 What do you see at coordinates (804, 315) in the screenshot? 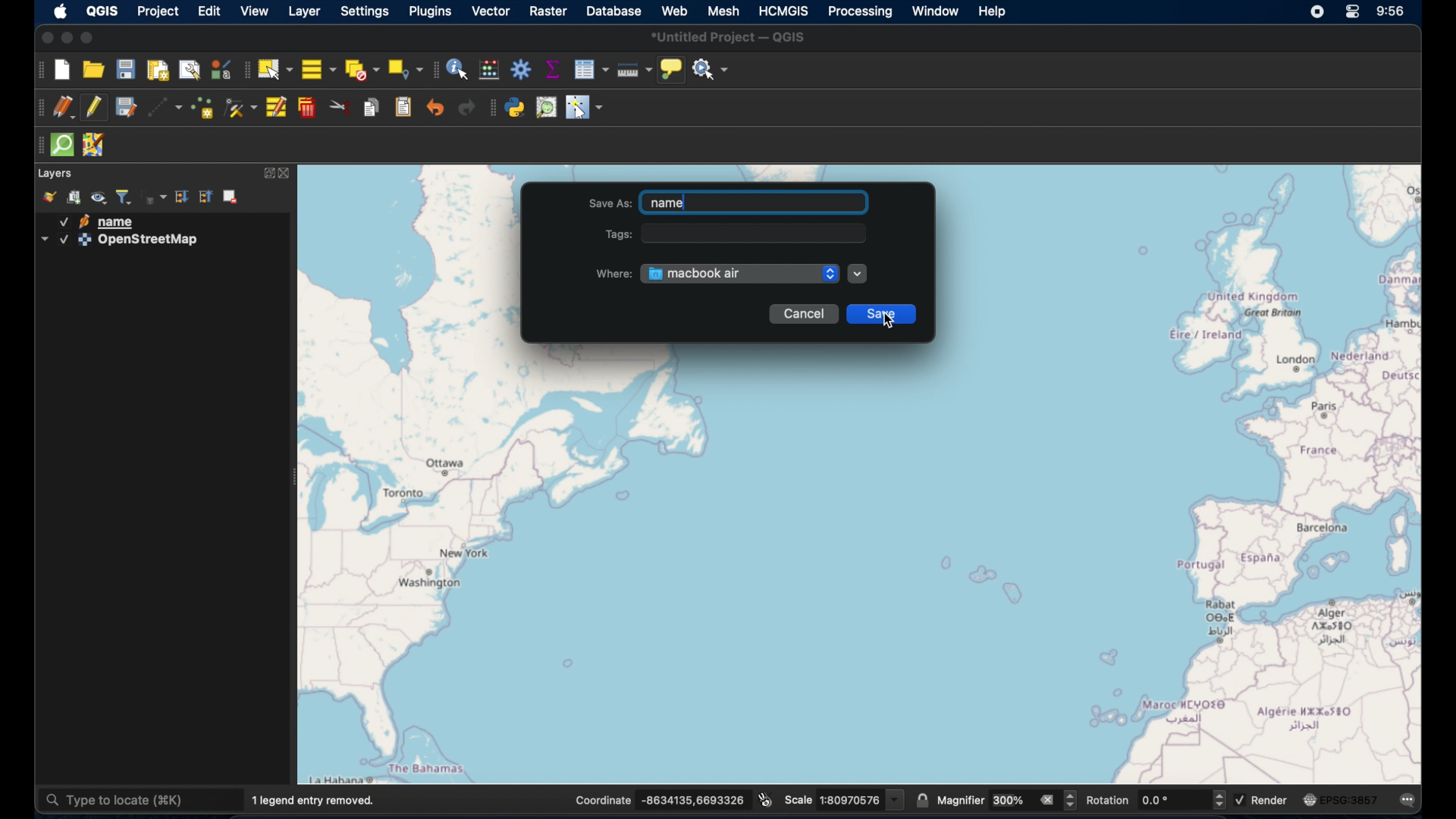
I see `Cancel` at bounding box center [804, 315].